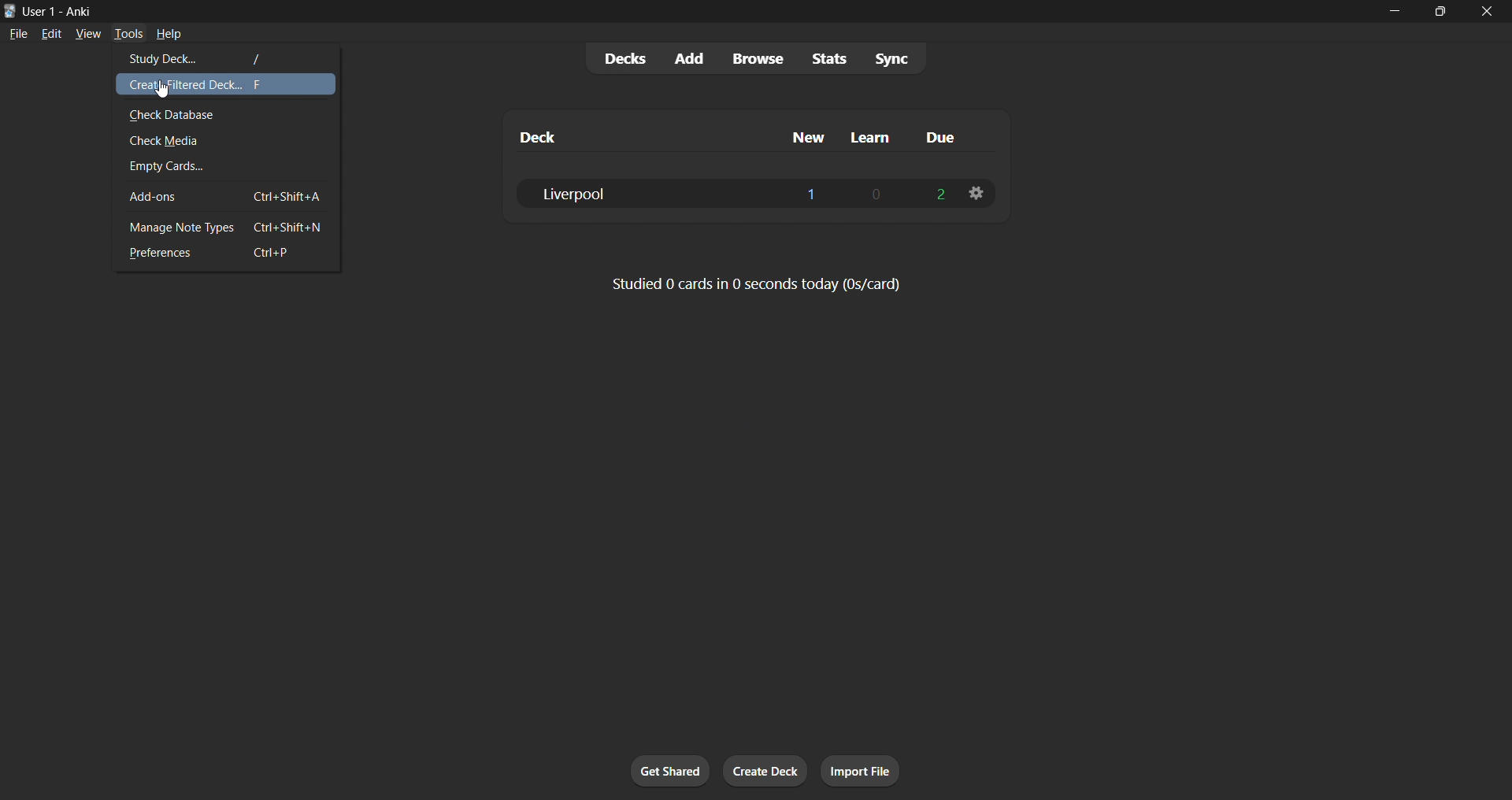 The width and height of the screenshot is (1512, 800). I want to click on create filtered deck, so click(228, 85).